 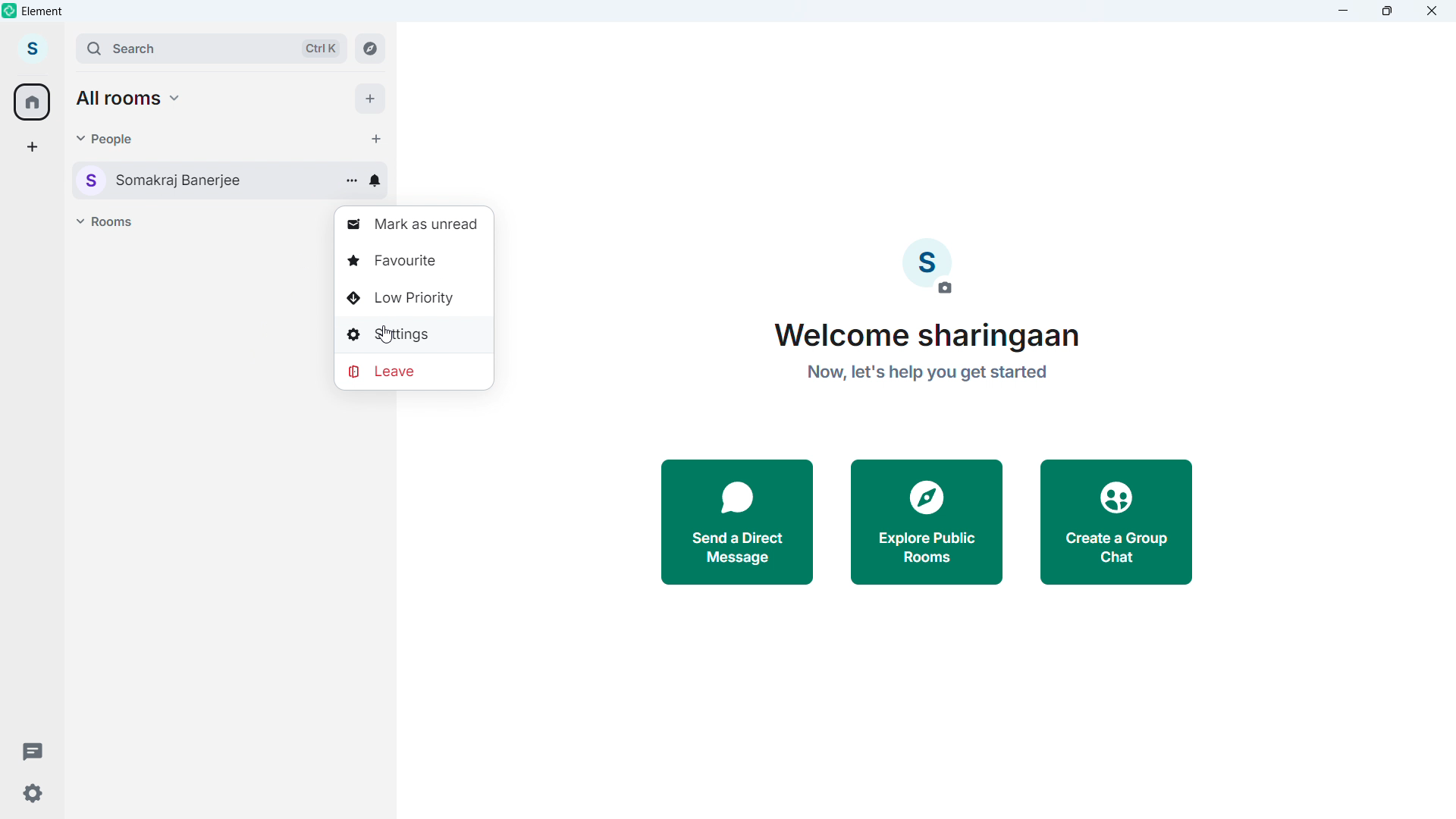 What do you see at coordinates (376, 180) in the screenshot?
I see `Conversation notification setting ` at bounding box center [376, 180].